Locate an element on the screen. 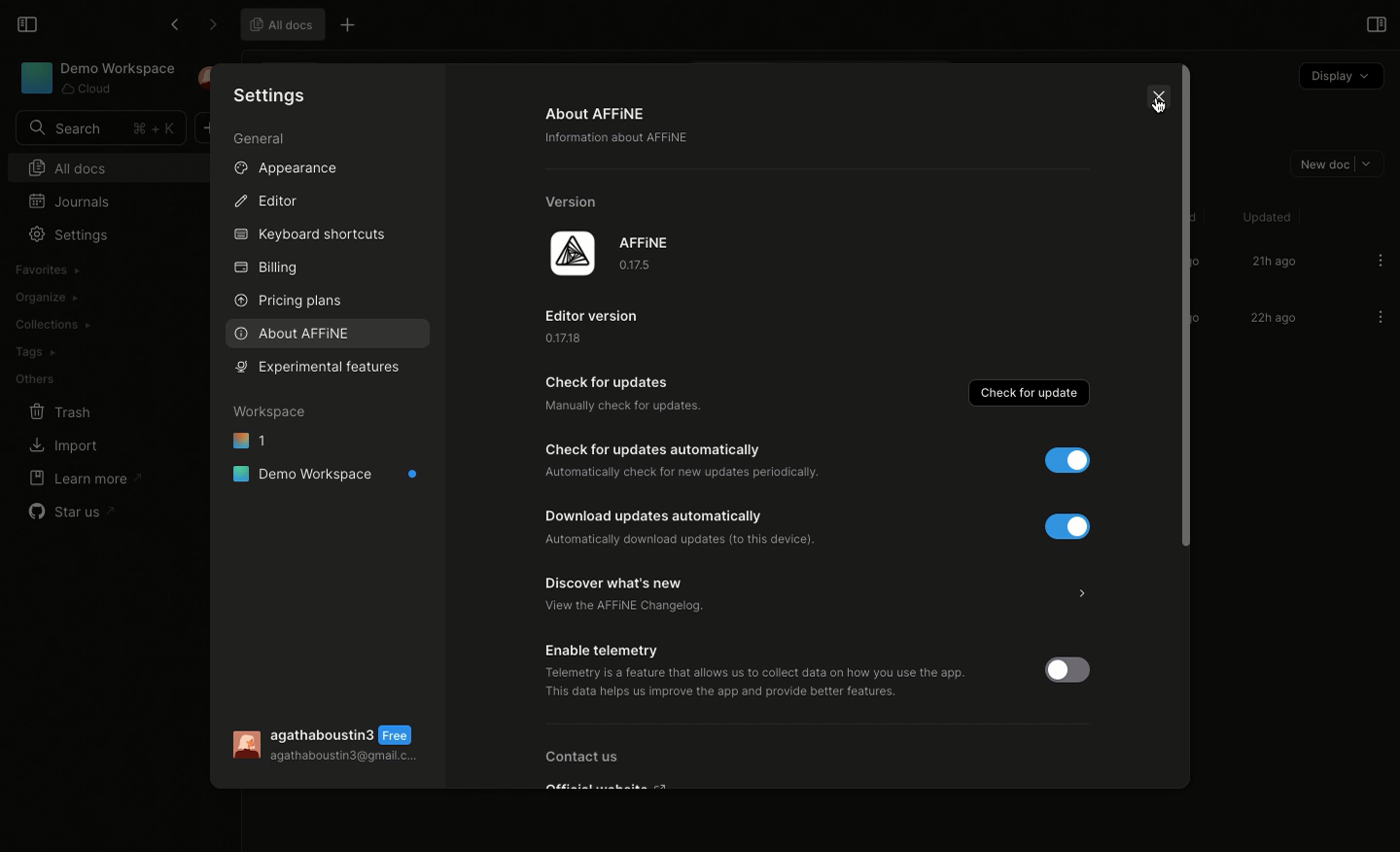 Image resolution: width=1400 pixels, height=852 pixels. Others is located at coordinates (35, 379).